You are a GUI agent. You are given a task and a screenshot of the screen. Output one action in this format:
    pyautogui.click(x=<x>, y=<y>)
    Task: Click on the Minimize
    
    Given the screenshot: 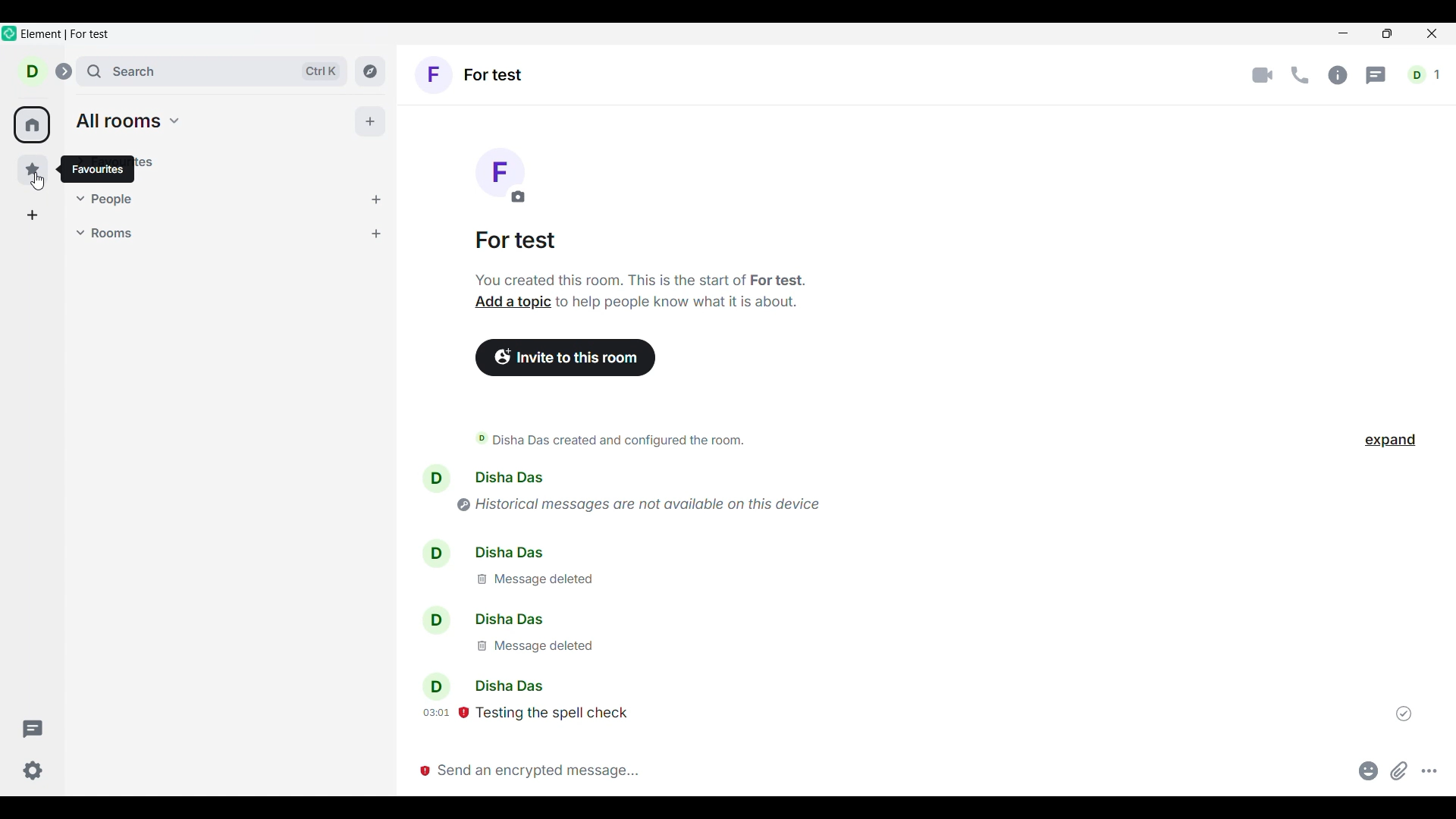 What is the action you would take?
    pyautogui.click(x=1345, y=36)
    